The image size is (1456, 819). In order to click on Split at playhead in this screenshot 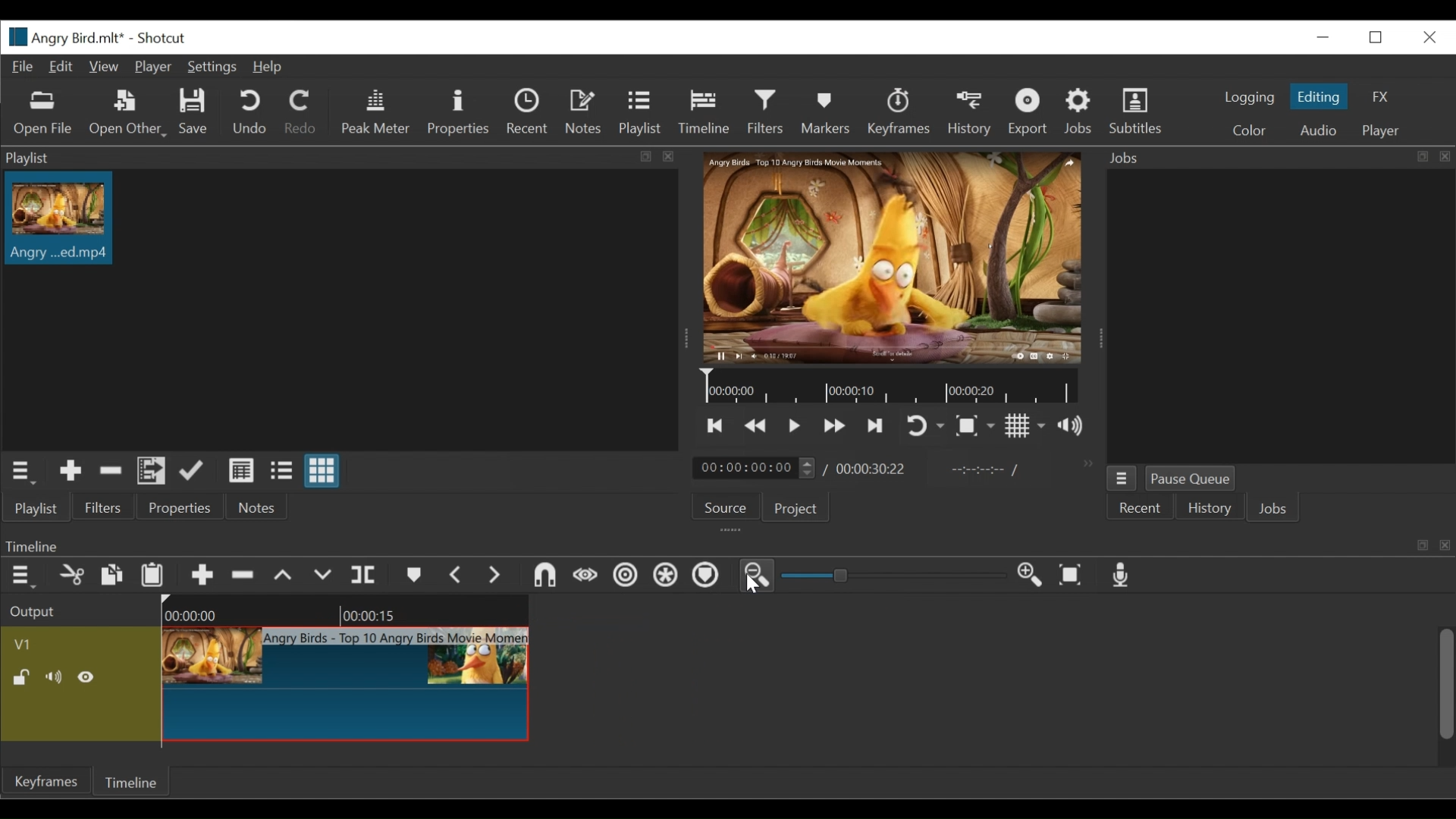, I will do `click(368, 575)`.